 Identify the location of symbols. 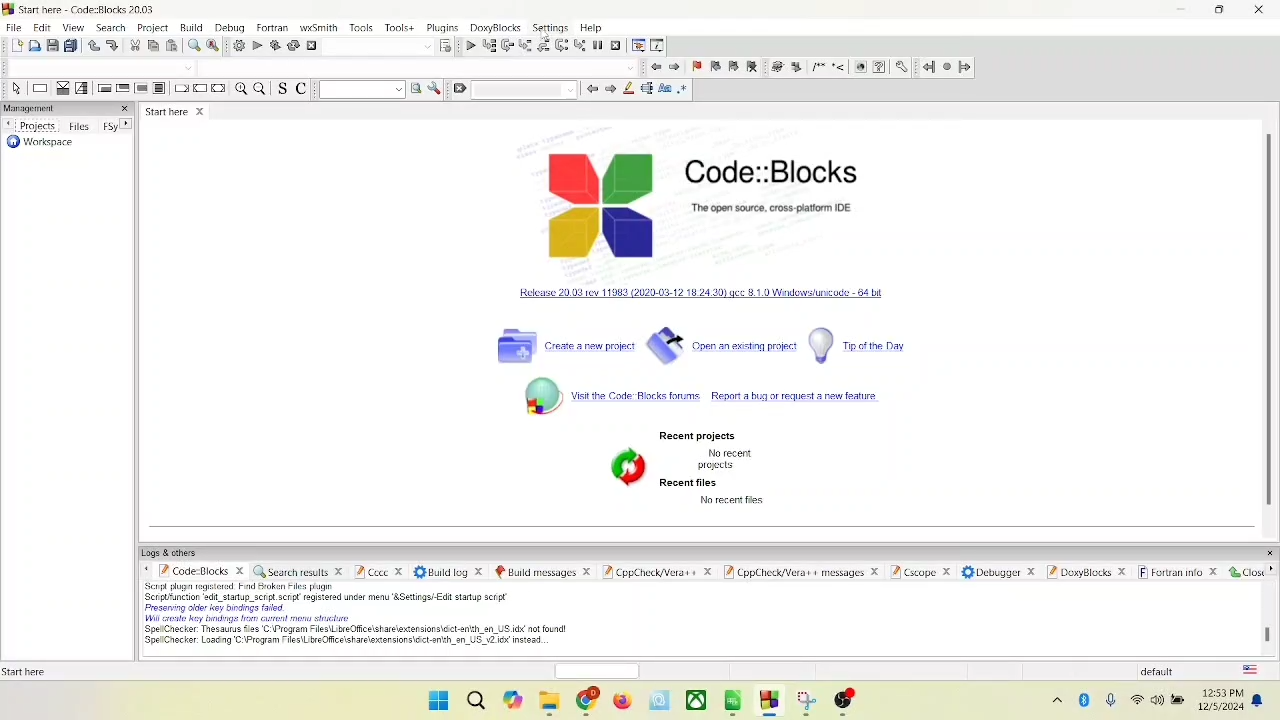
(808, 66).